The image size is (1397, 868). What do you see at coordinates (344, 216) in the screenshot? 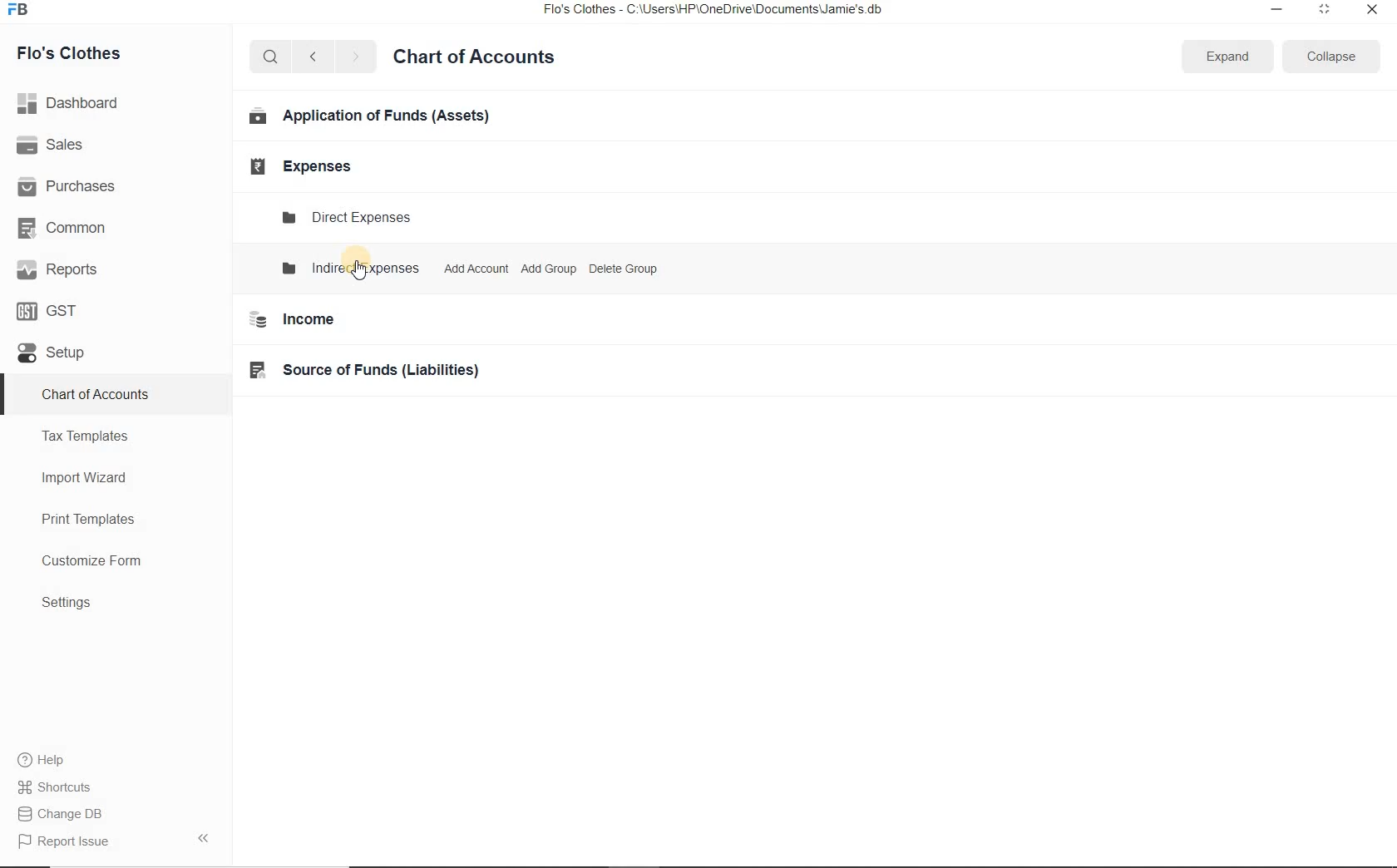
I see `Direct Expense` at bounding box center [344, 216].